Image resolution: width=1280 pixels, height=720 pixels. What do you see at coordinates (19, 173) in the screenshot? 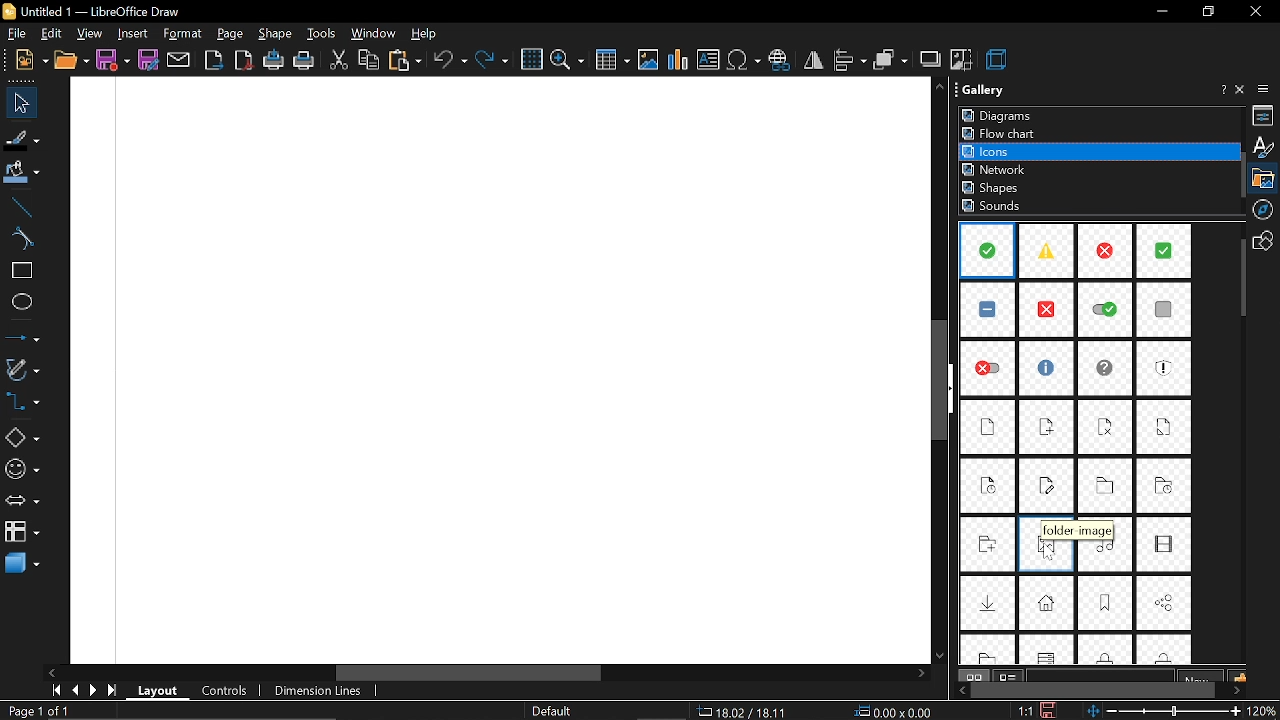
I see `fill color` at bounding box center [19, 173].